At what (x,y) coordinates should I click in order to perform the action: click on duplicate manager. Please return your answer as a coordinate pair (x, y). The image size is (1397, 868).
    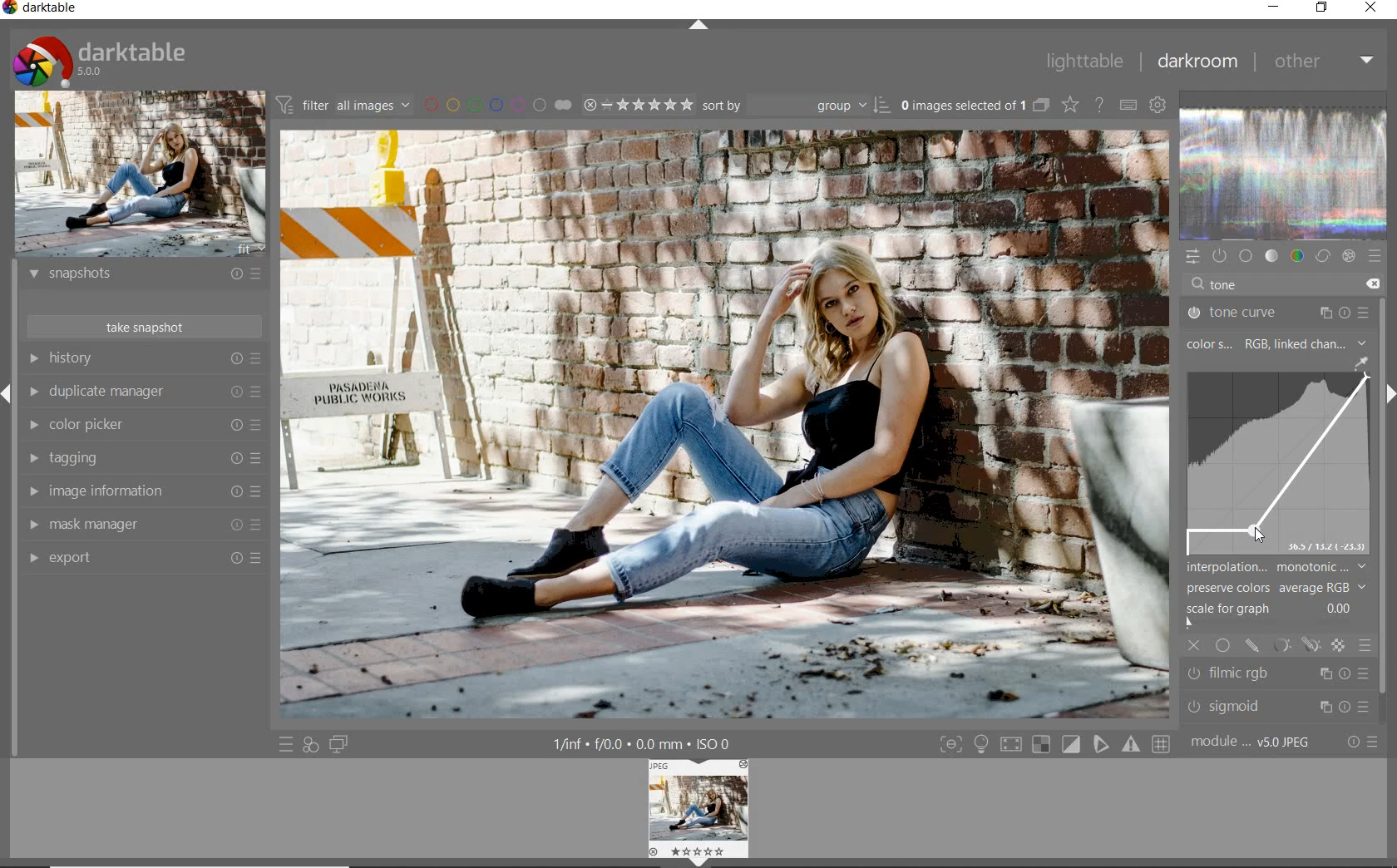
    Looking at the image, I should click on (146, 394).